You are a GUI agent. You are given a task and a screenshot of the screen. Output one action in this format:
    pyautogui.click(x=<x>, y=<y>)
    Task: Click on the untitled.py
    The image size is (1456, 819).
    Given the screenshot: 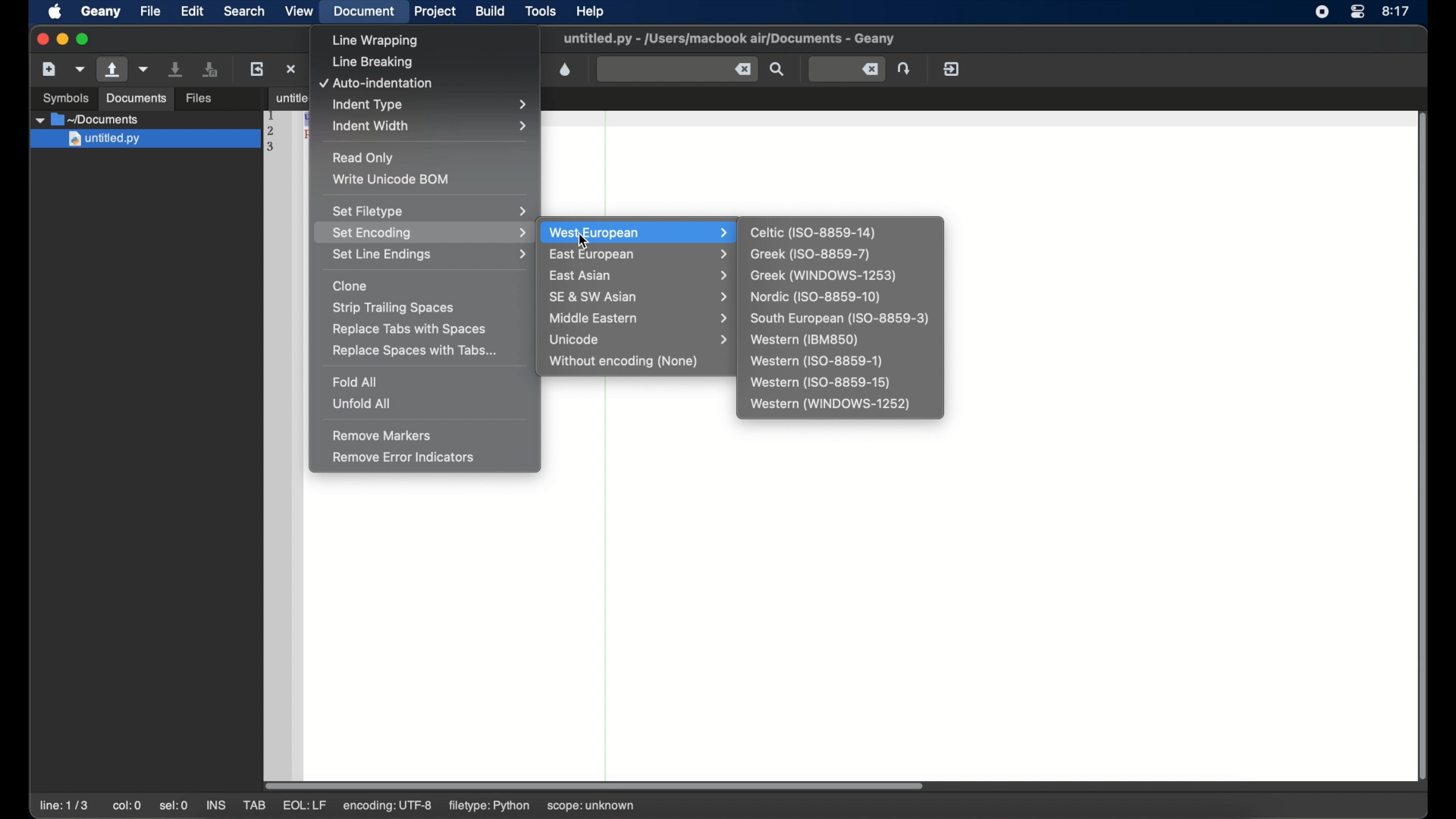 What is the action you would take?
    pyautogui.click(x=148, y=119)
    